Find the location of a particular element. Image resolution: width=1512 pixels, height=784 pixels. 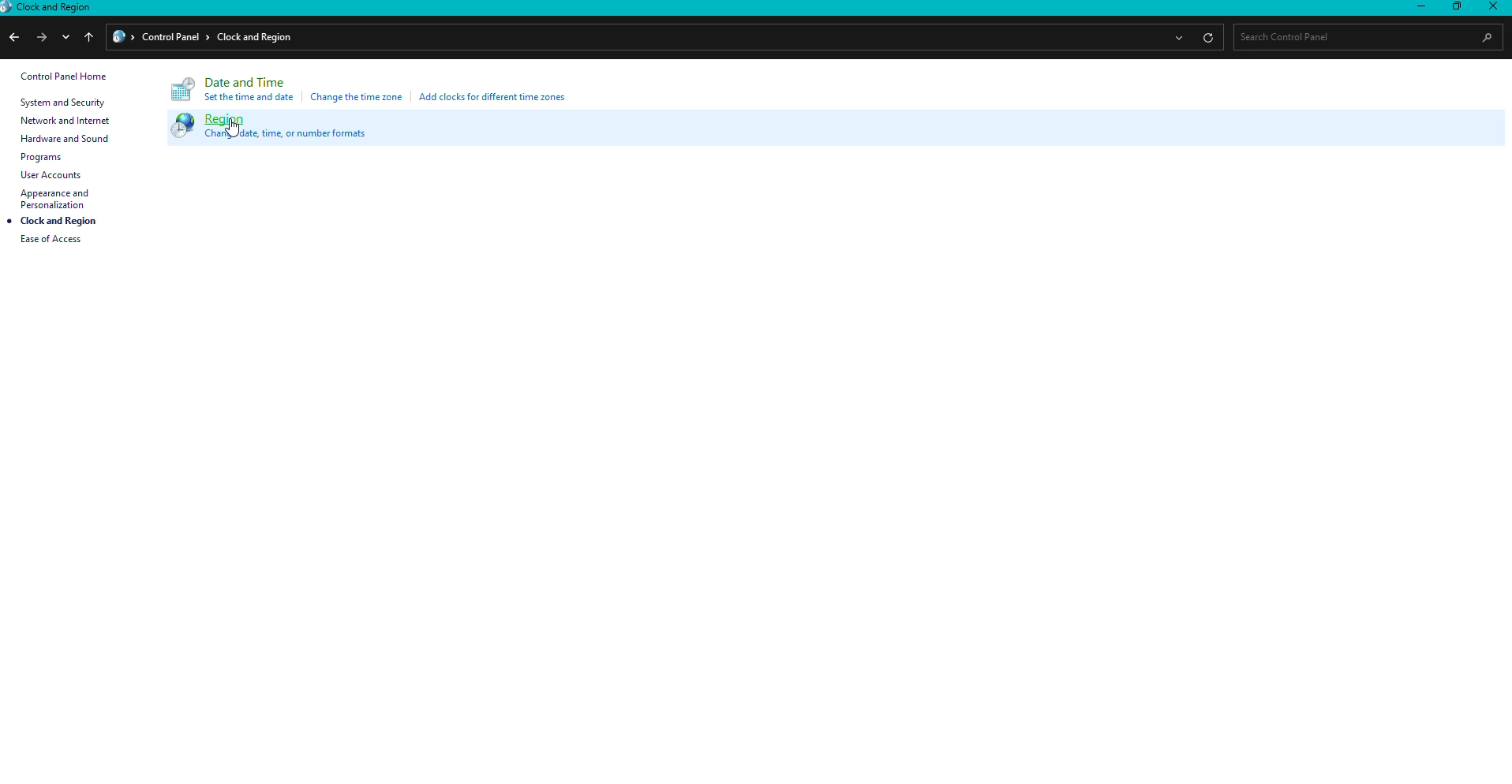

Add clocks is located at coordinates (496, 96).